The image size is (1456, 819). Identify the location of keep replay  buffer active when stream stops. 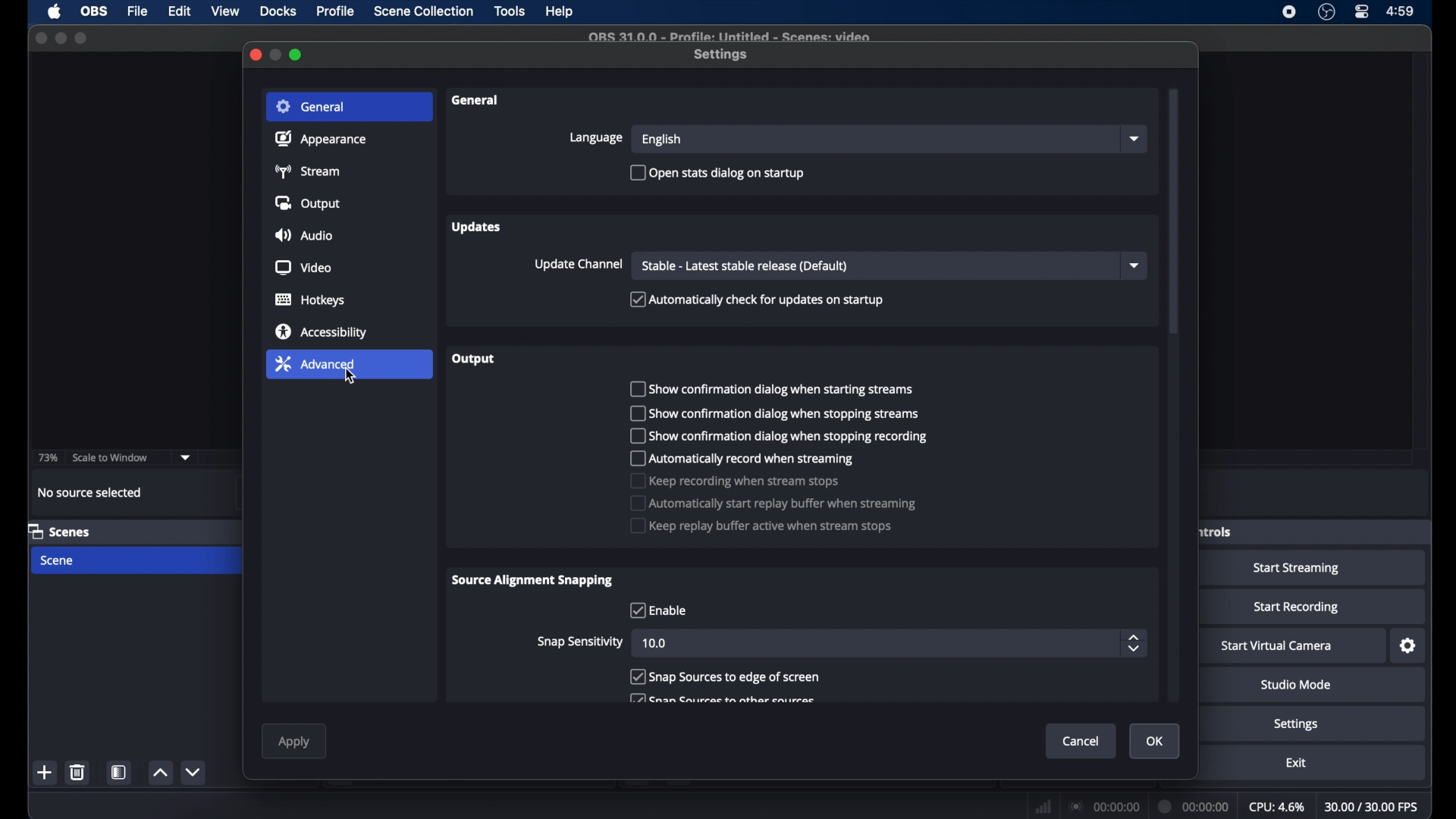
(760, 526).